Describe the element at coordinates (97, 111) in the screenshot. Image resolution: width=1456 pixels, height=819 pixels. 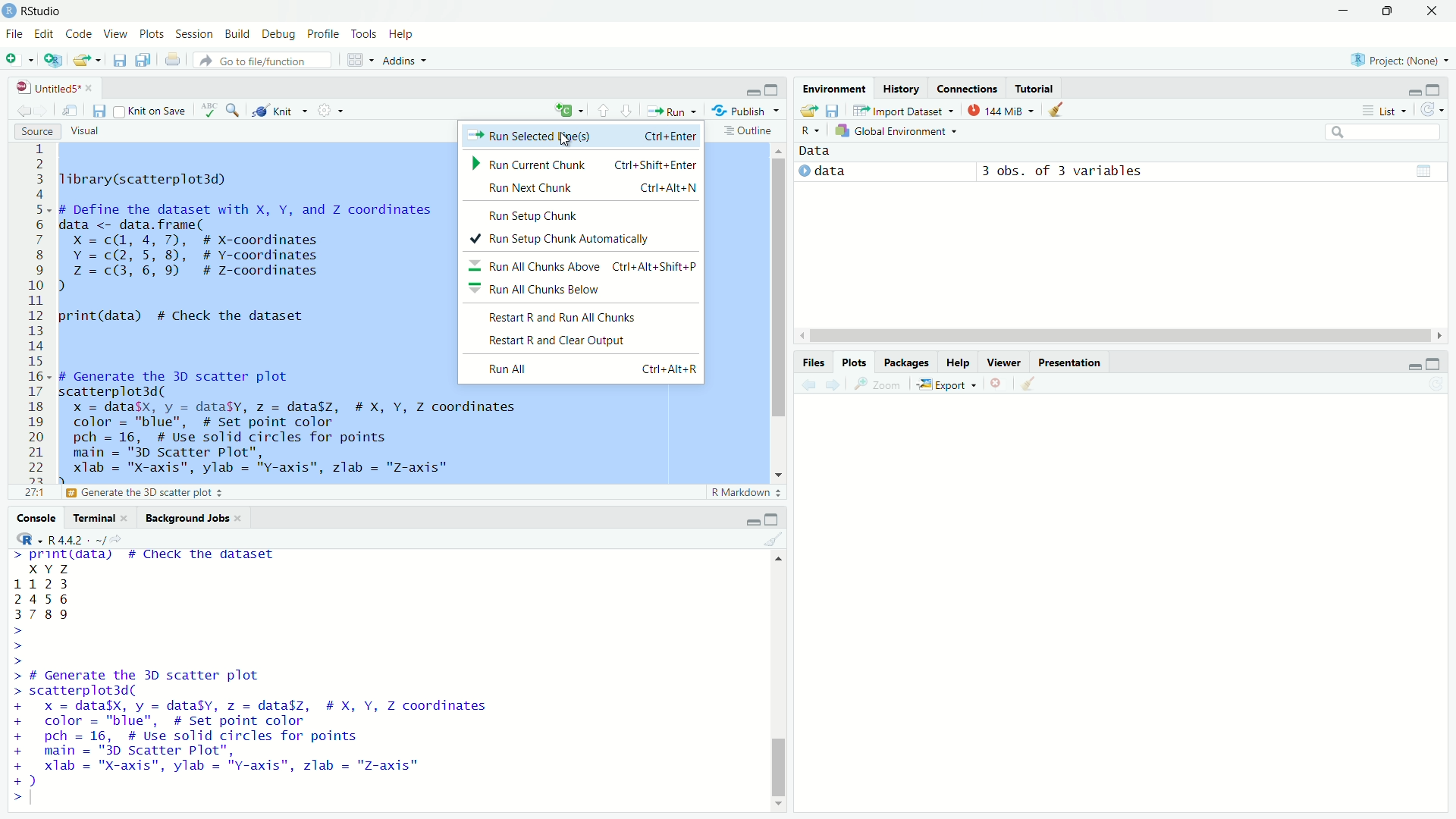
I see `save current document` at that location.